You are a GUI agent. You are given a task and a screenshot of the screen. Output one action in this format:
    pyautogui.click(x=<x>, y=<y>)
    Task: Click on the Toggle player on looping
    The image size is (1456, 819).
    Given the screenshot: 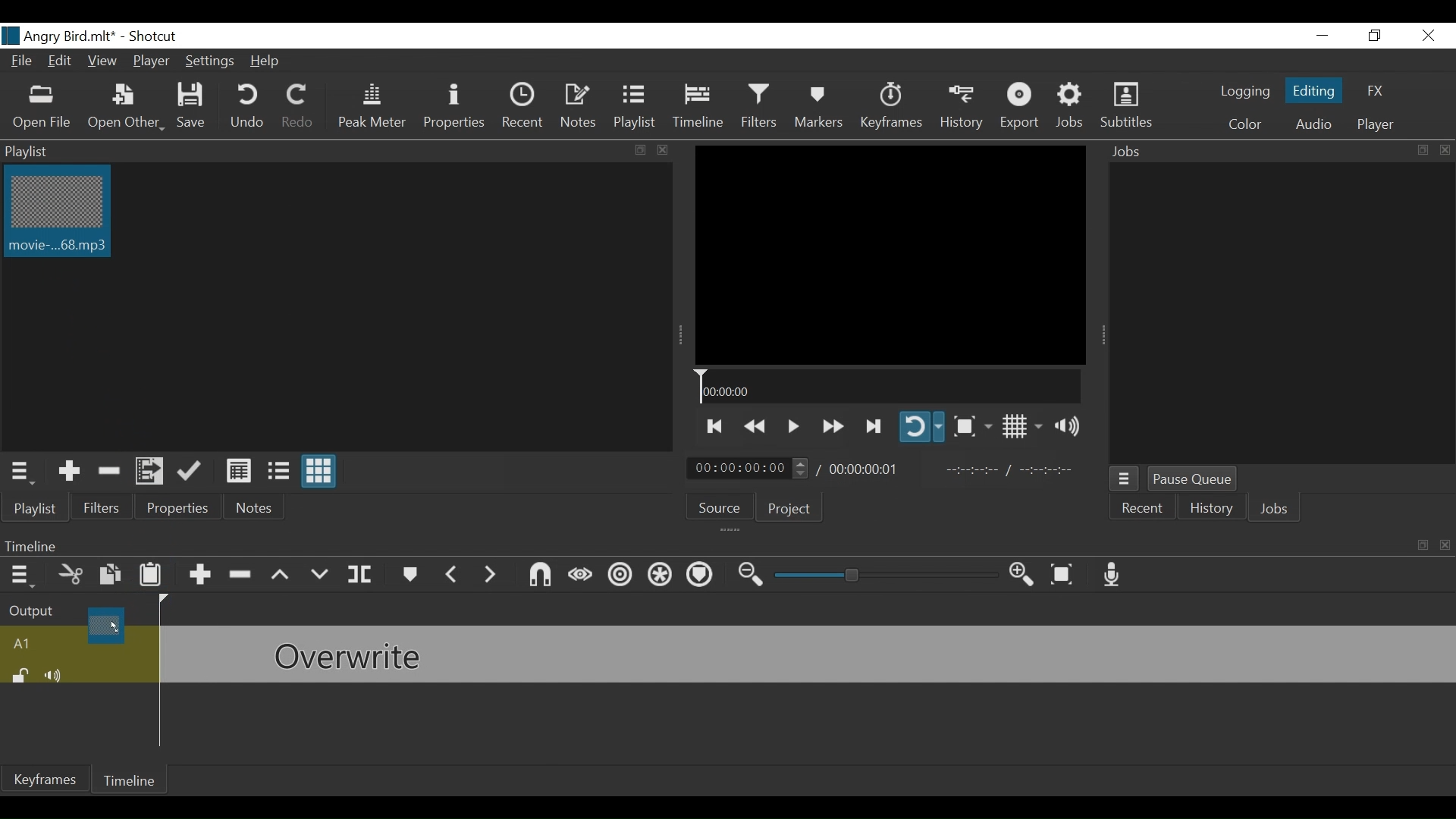 What is the action you would take?
    pyautogui.click(x=923, y=428)
    